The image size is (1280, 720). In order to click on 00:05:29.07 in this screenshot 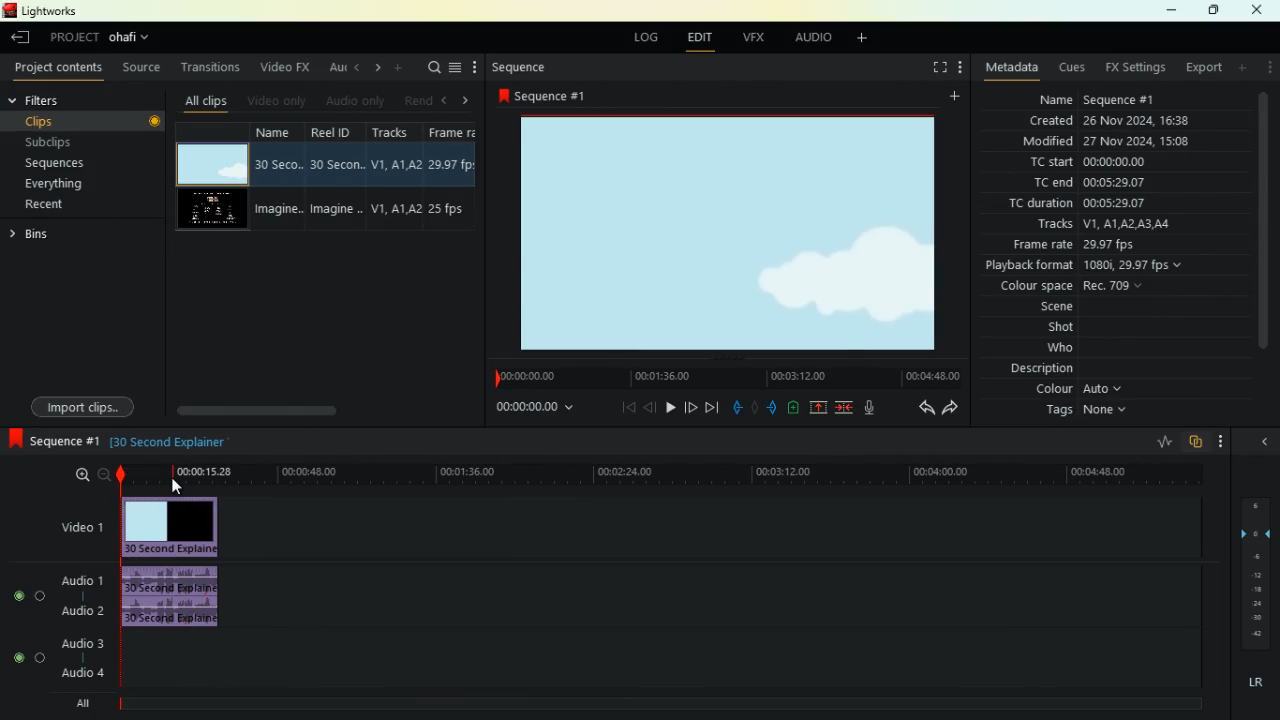, I will do `click(1114, 182)`.